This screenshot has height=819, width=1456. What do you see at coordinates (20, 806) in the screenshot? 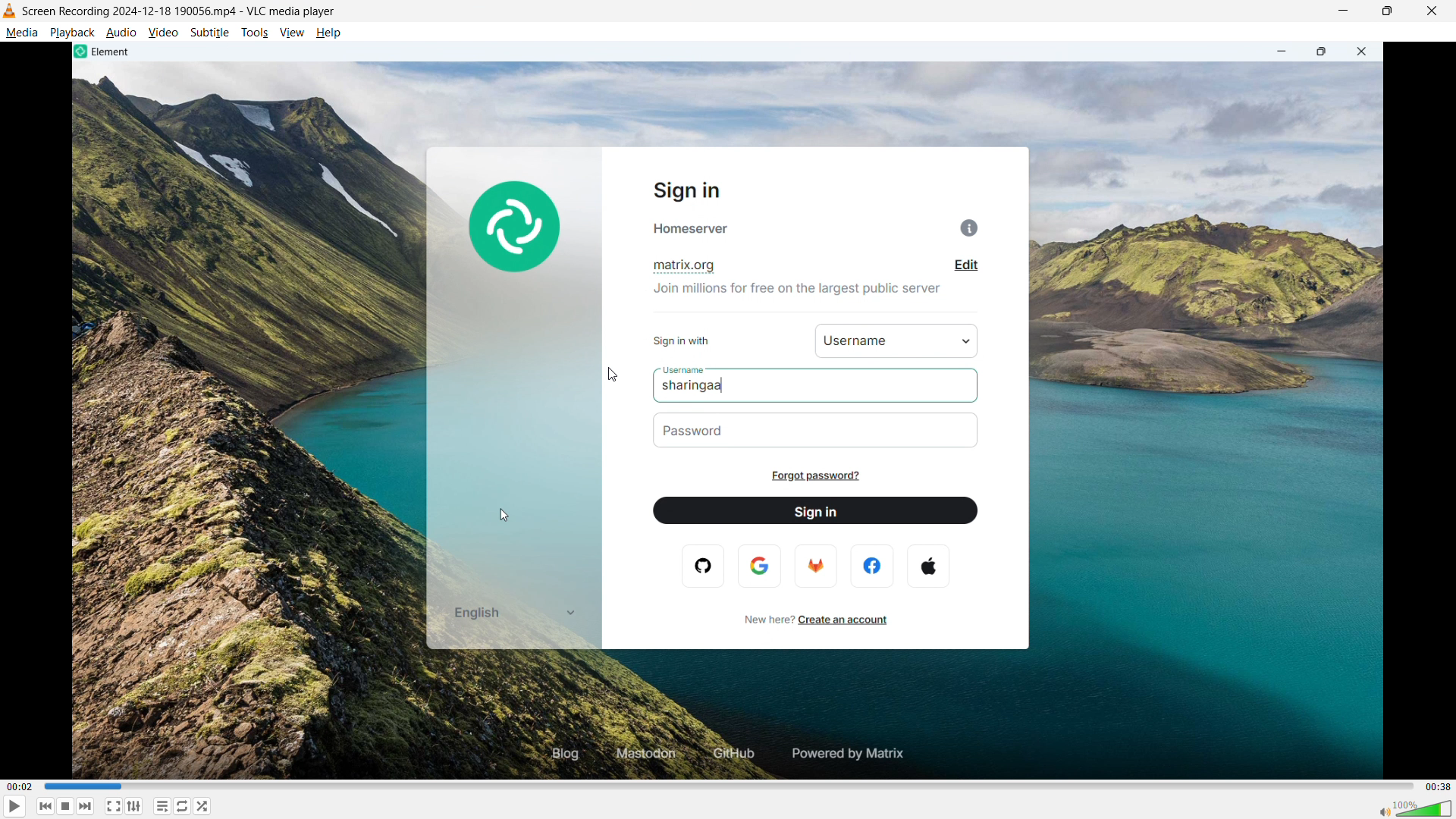
I see `play ` at bounding box center [20, 806].